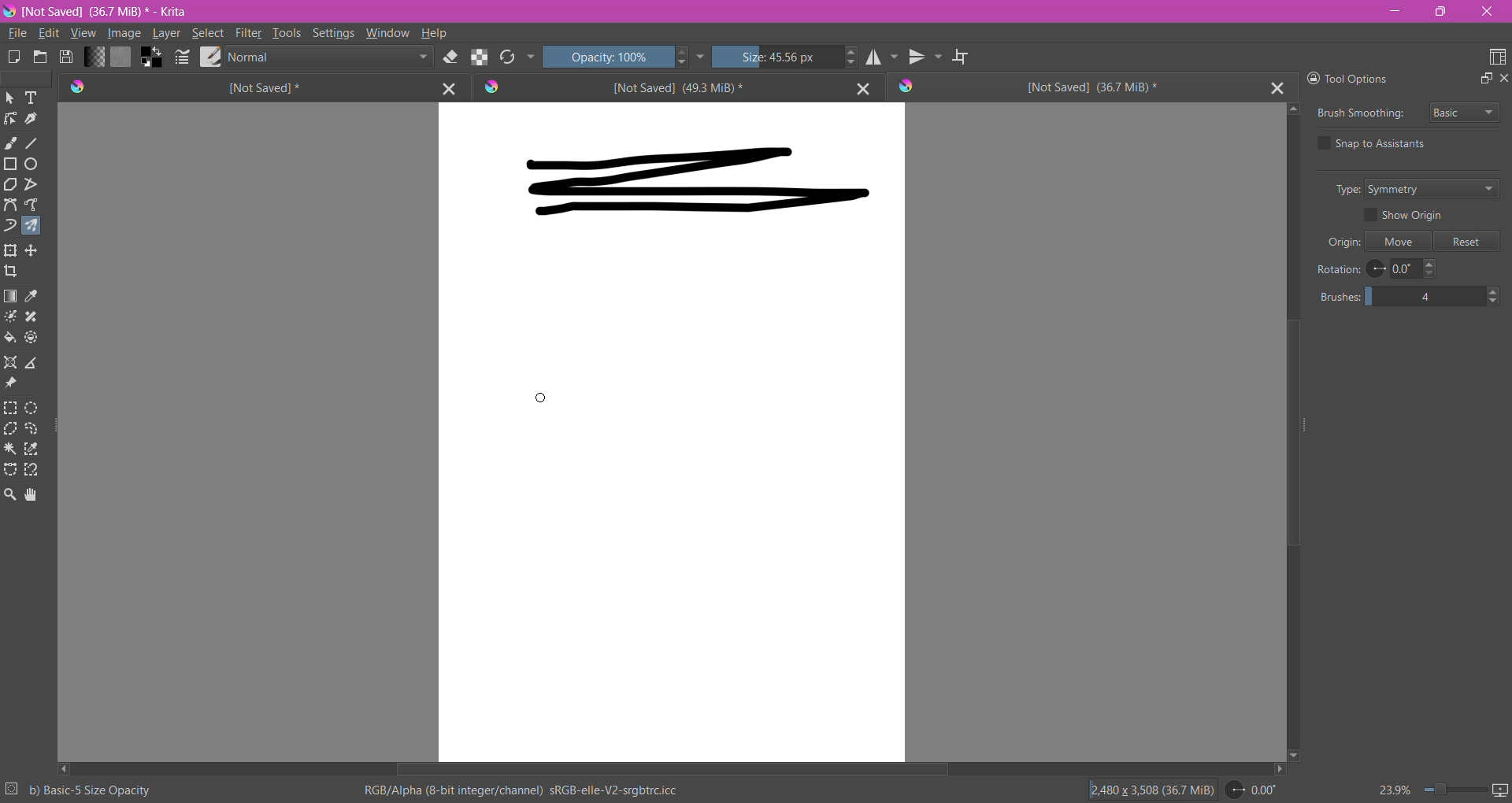  What do you see at coordinates (477, 56) in the screenshot?
I see `Preserve Alpha` at bounding box center [477, 56].